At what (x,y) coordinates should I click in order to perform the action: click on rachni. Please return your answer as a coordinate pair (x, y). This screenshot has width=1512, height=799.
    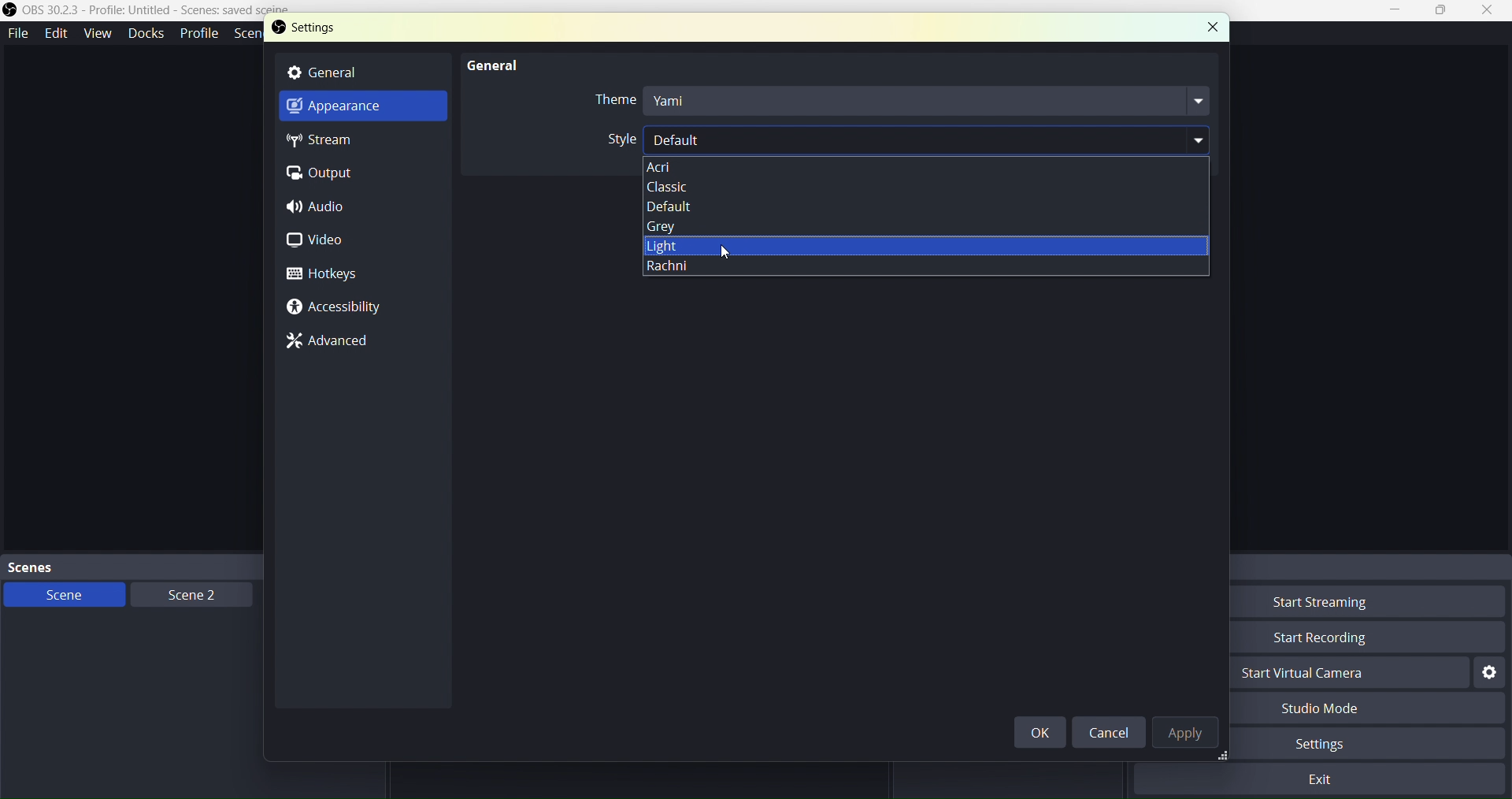
    Looking at the image, I should click on (916, 274).